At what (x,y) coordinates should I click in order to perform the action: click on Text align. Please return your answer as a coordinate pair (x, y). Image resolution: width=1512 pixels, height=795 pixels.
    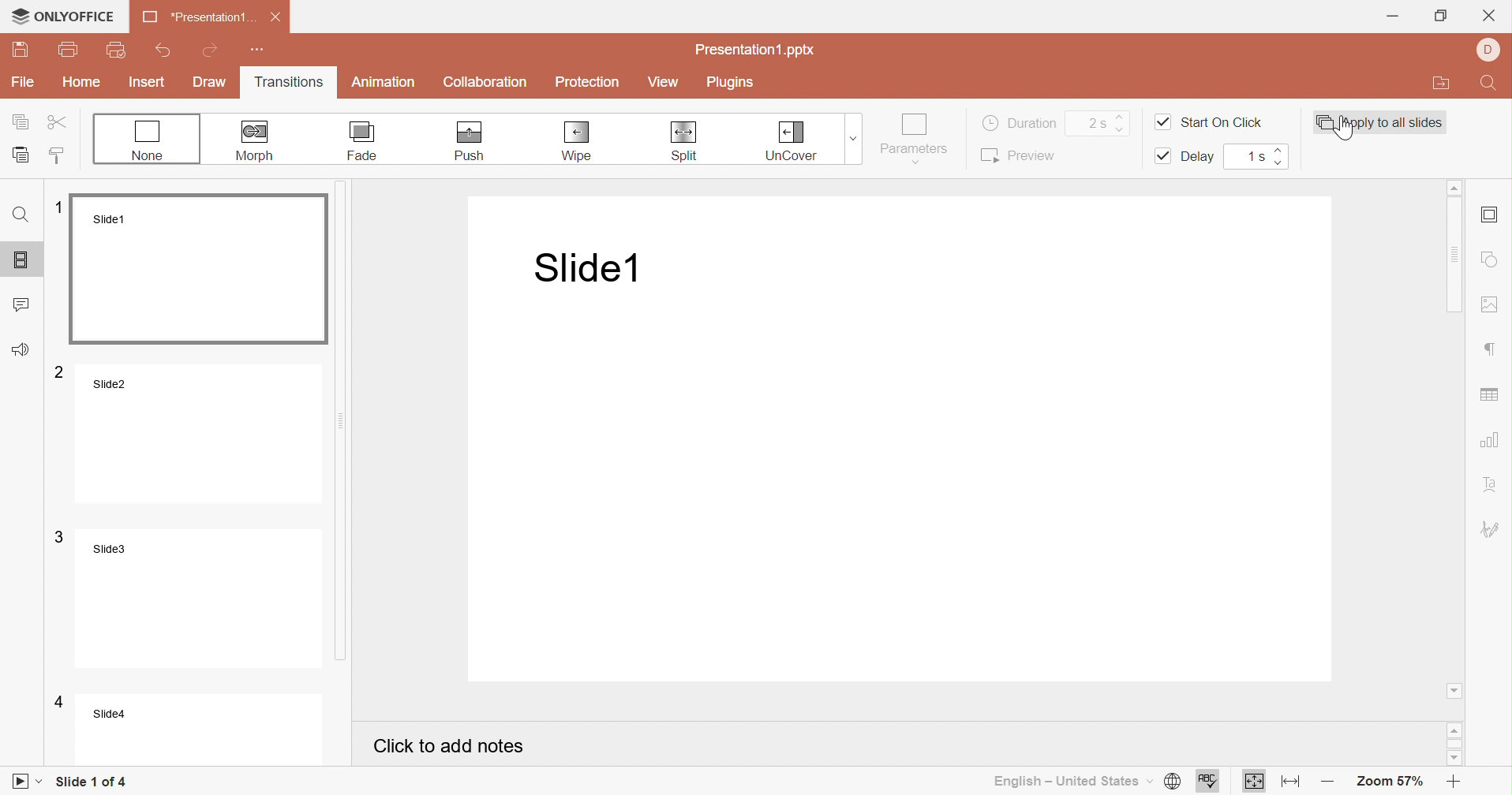
    Looking at the image, I should click on (1493, 483).